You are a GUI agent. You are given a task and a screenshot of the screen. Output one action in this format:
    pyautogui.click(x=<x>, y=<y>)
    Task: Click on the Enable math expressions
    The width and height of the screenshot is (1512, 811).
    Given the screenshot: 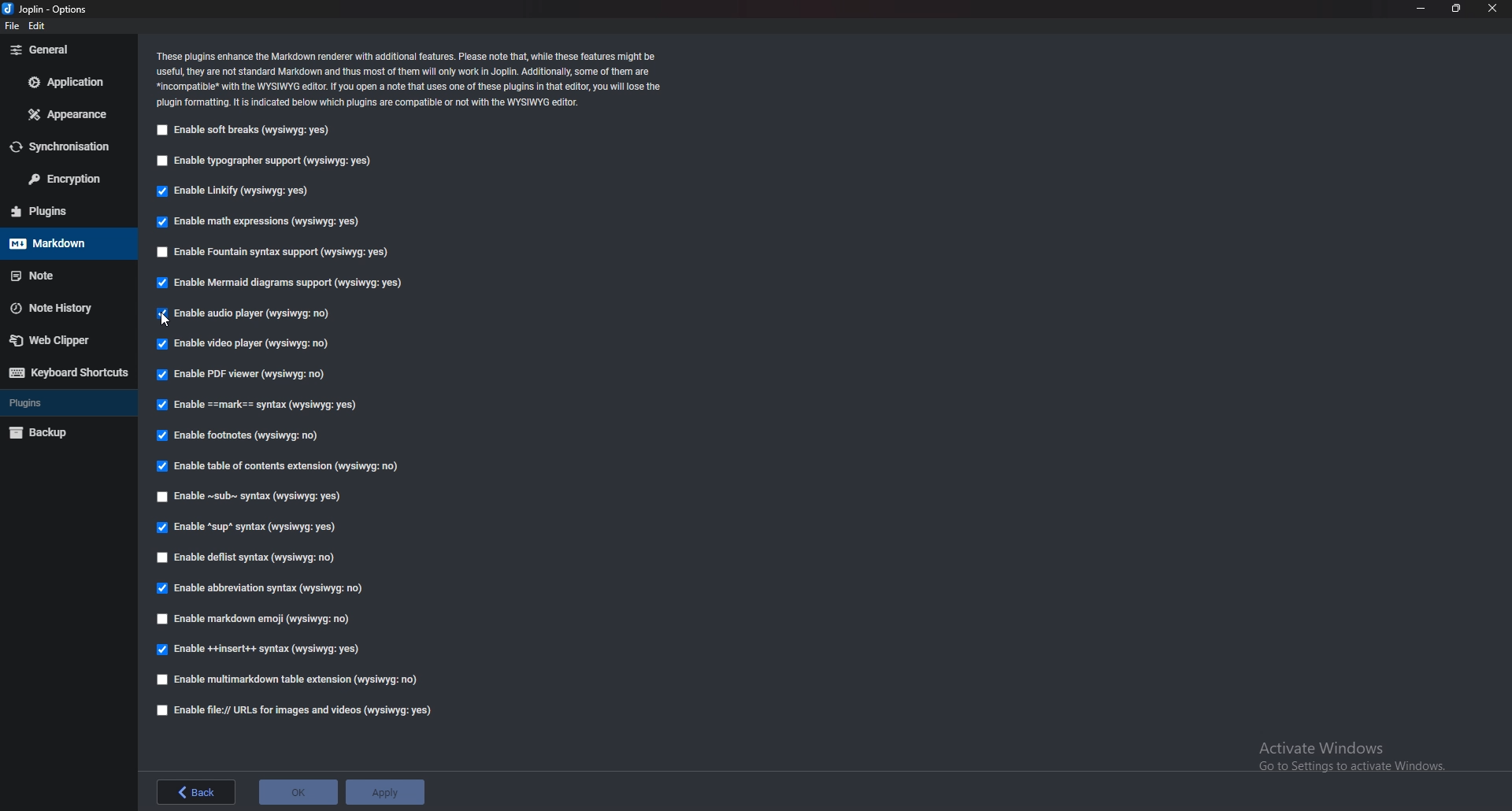 What is the action you would take?
    pyautogui.click(x=265, y=221)
    